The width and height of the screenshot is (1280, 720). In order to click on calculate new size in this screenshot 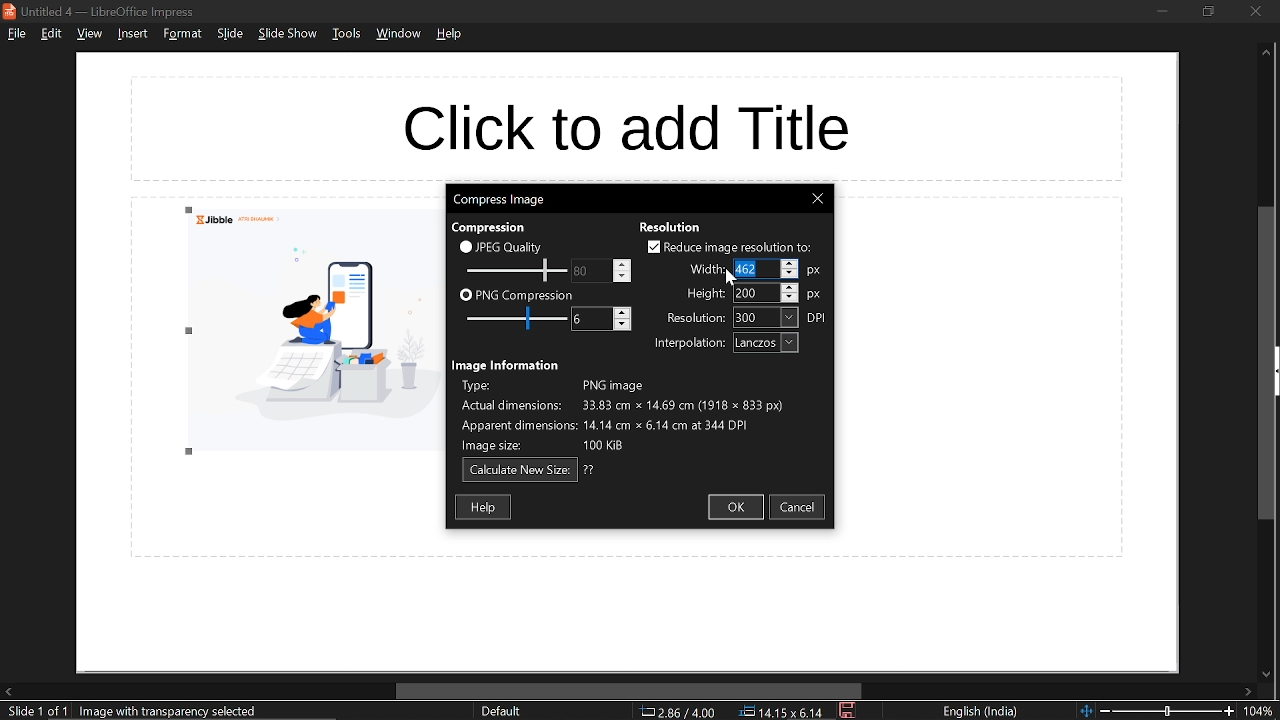, I will do `click(520, 471)`.